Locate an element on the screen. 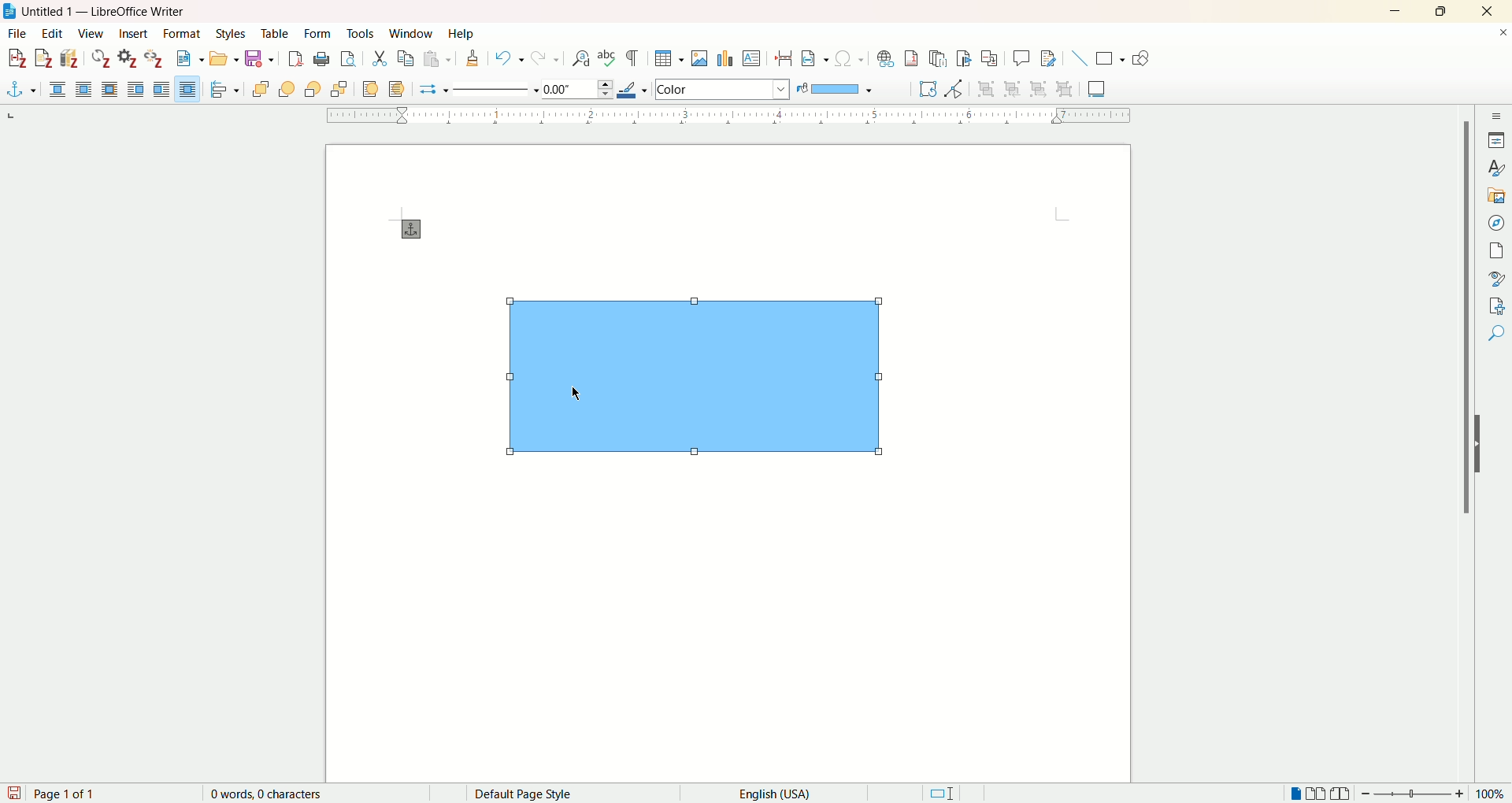 The width and height of the screenshot is (1512, 803). insert text box is located at coordinates (752, 57).